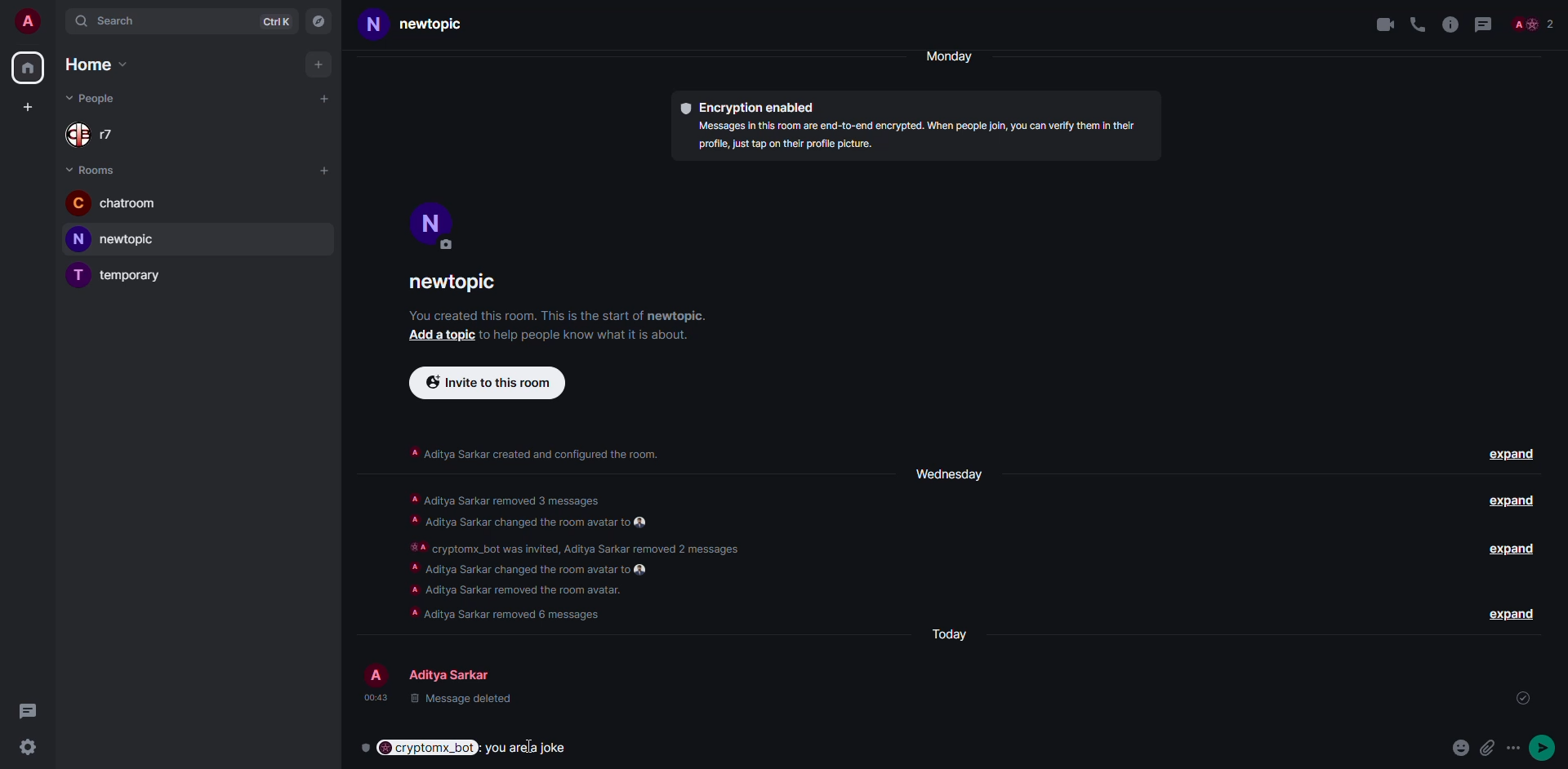  I want to click on you are a joke, so click(530, 748).